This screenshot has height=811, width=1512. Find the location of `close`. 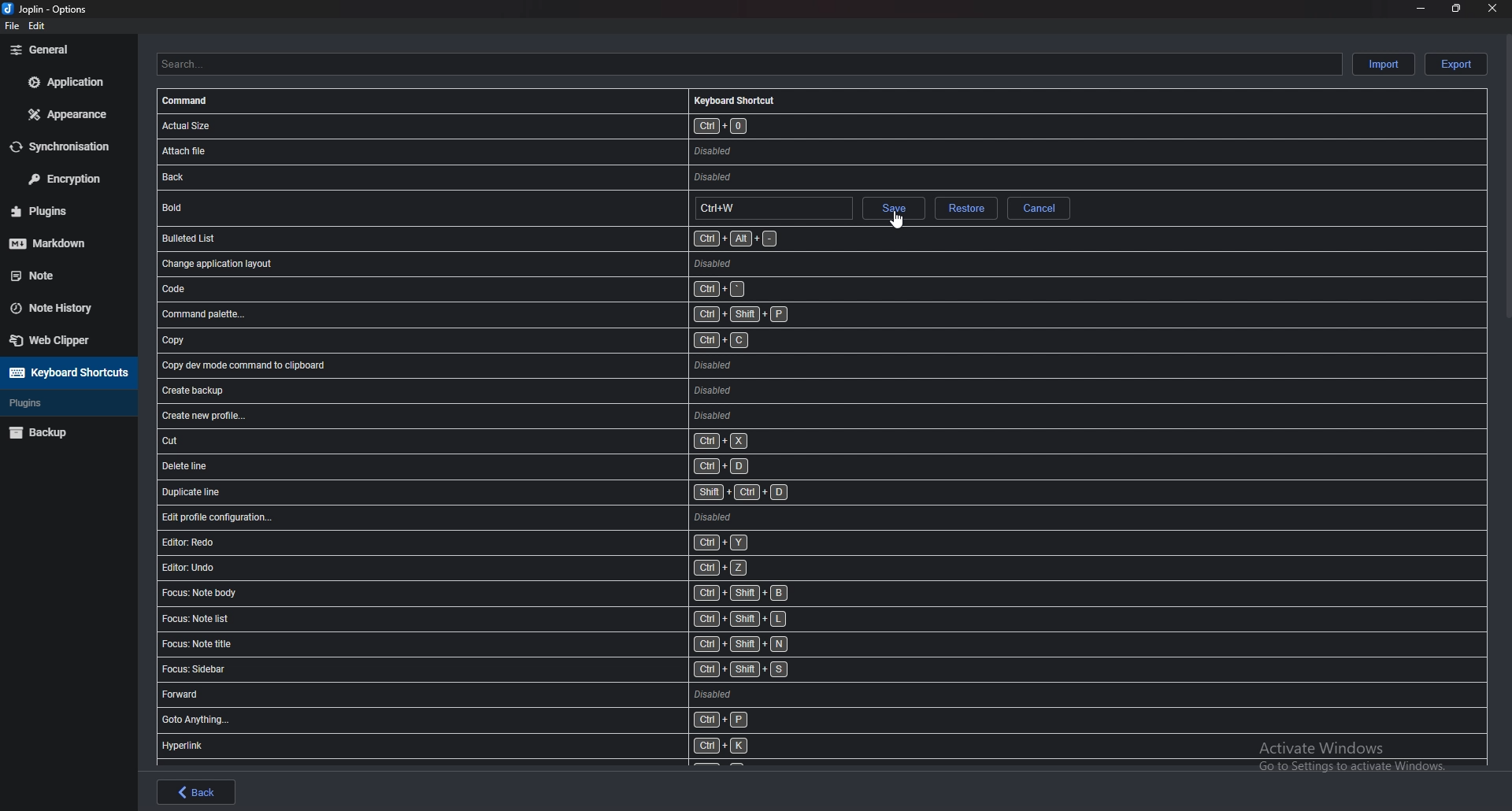

close is located at coordinates (1493, 7).